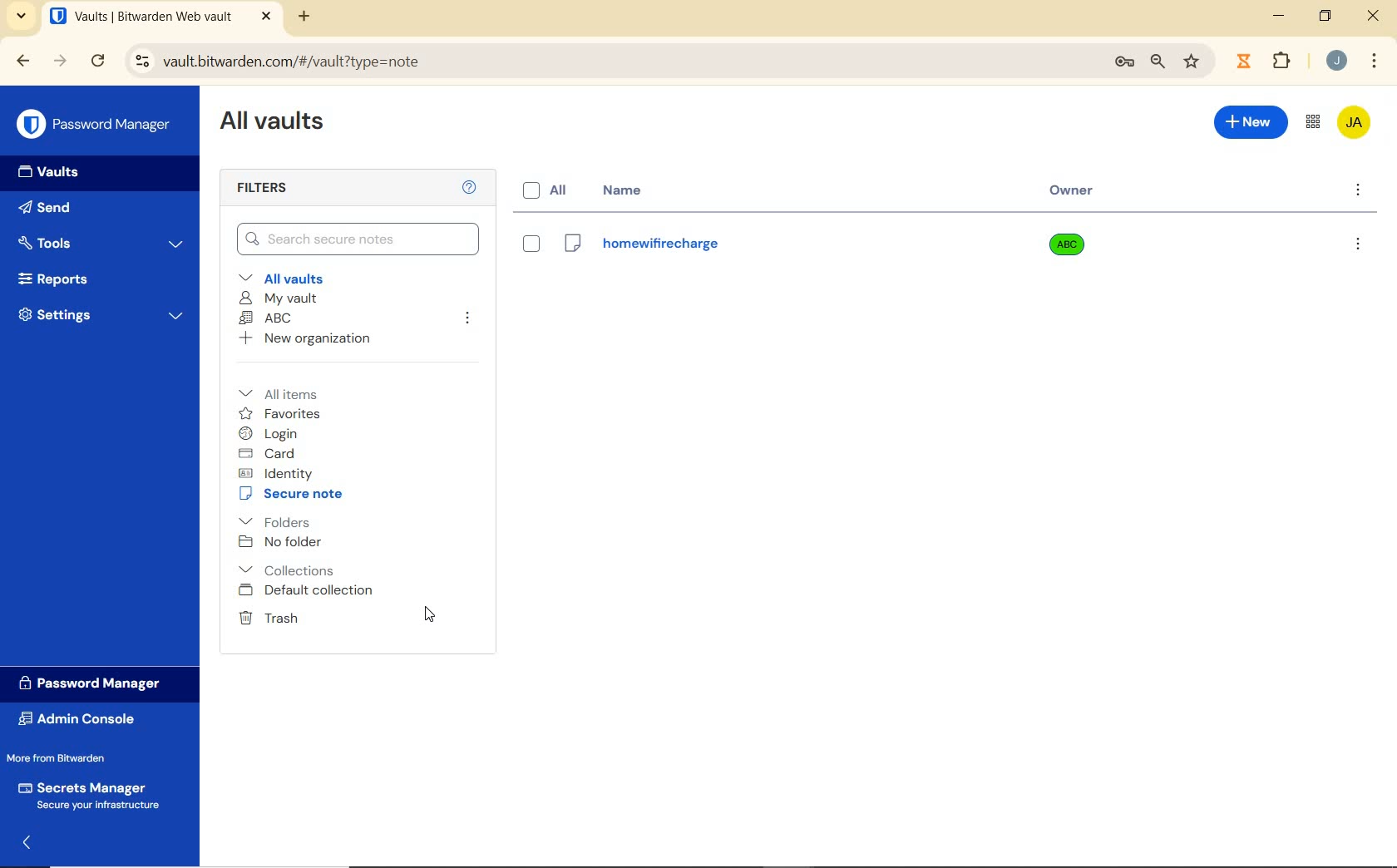 The image size is (1397, 868). What do you see at coordinates (1193, 62) in the screenshot?
I see `bookmark` at bounding box center [1193, 62].